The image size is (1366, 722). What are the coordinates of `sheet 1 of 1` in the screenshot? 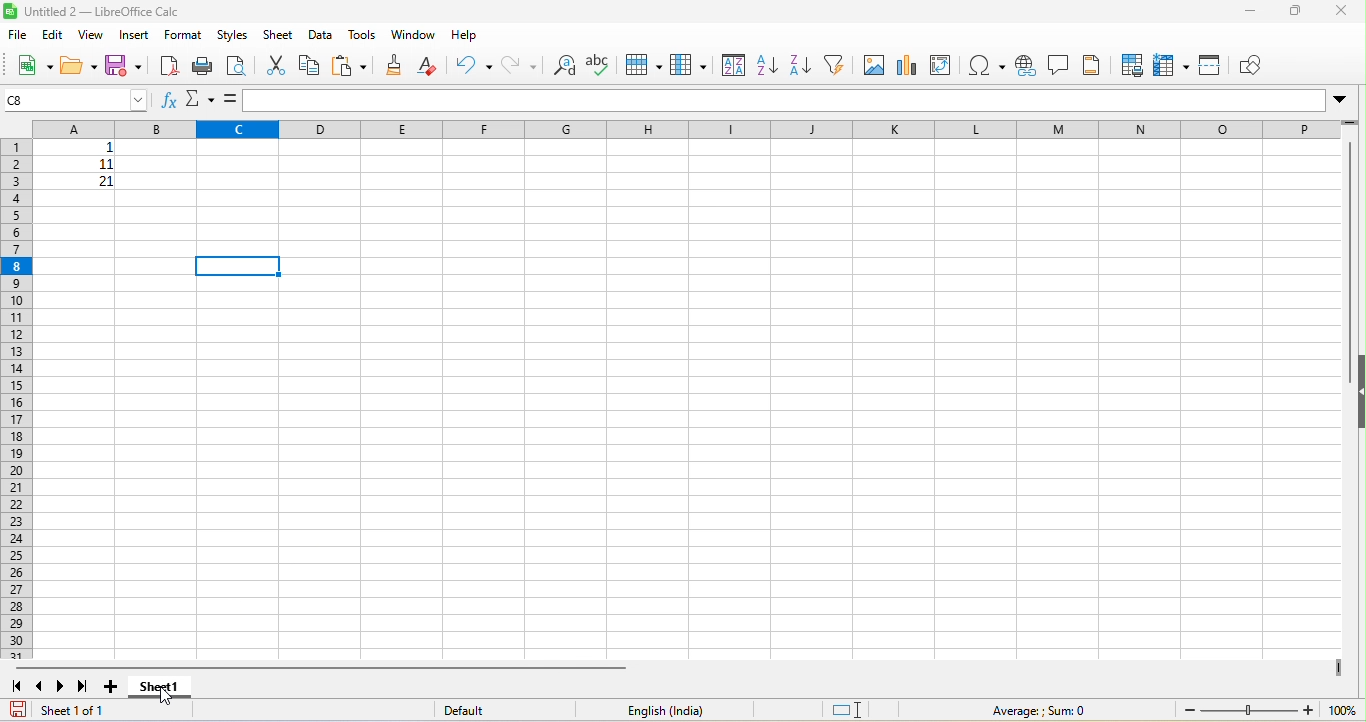 It's located at (78, 711).